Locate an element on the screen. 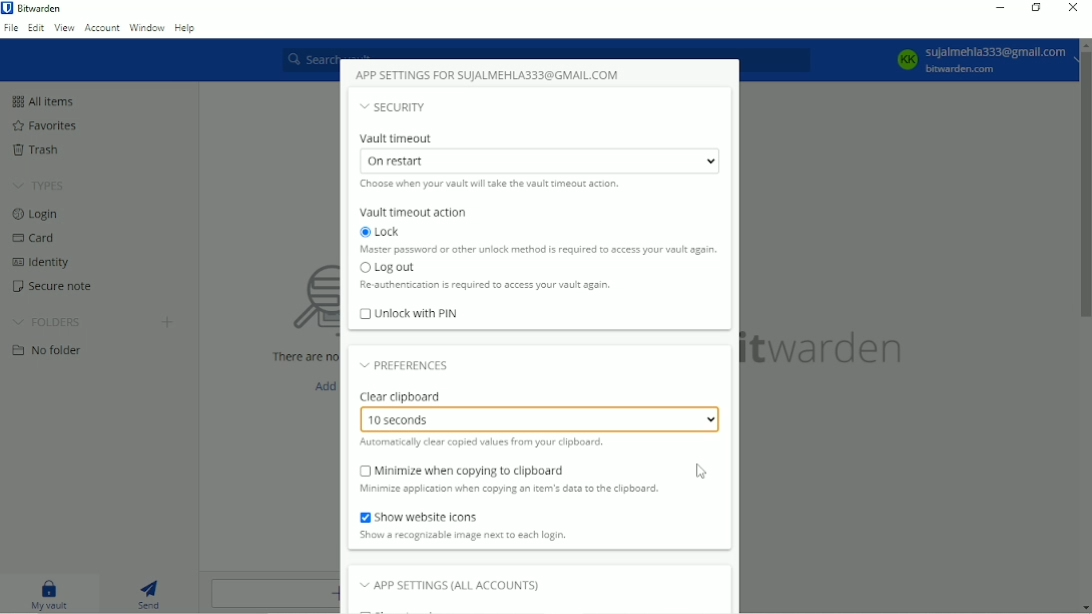 The image size is (1092, 614). Minimize is located at coordinates (1001, 7).